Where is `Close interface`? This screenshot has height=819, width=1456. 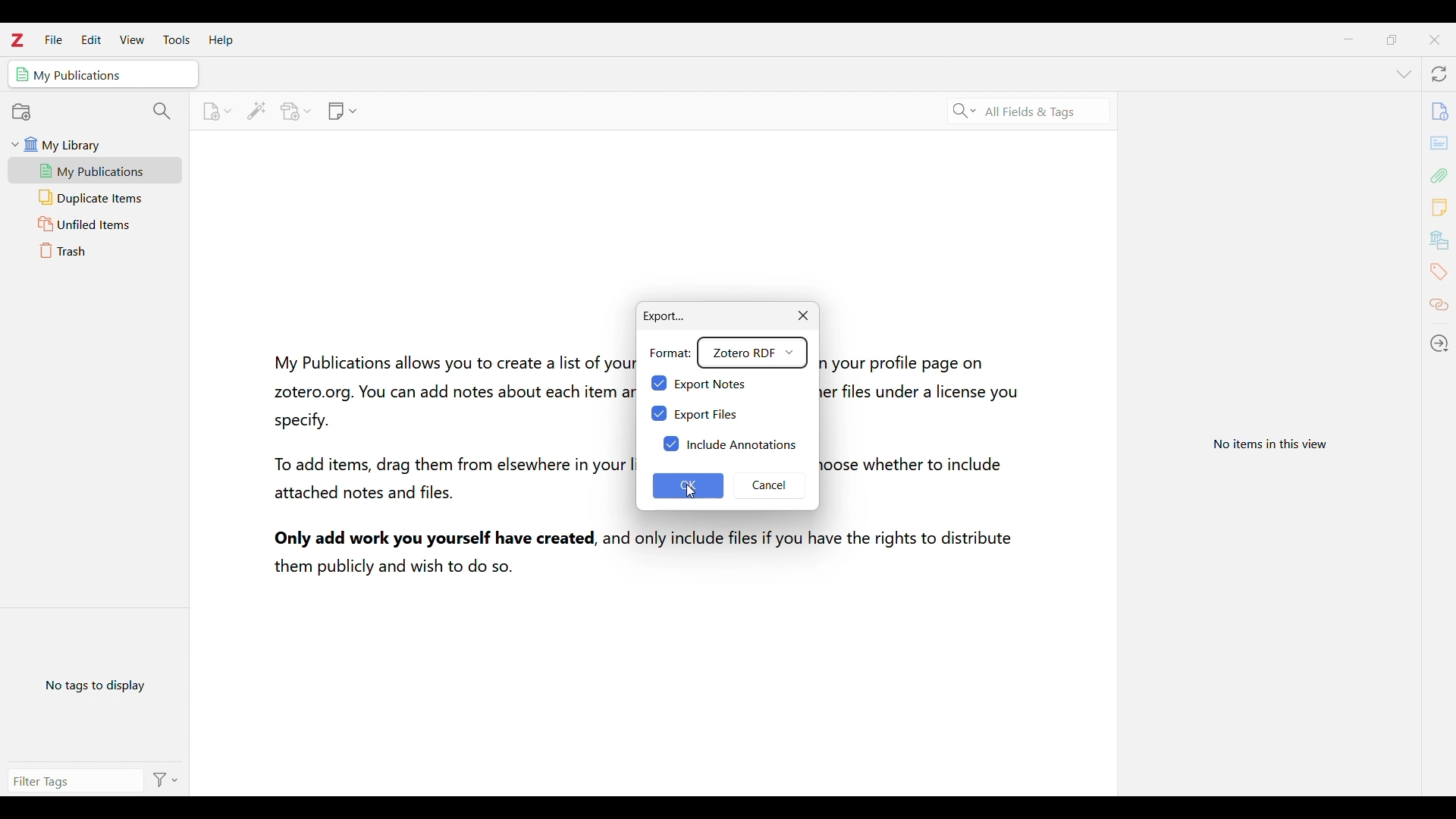 Close interface is located at coordinates (1434, 39).